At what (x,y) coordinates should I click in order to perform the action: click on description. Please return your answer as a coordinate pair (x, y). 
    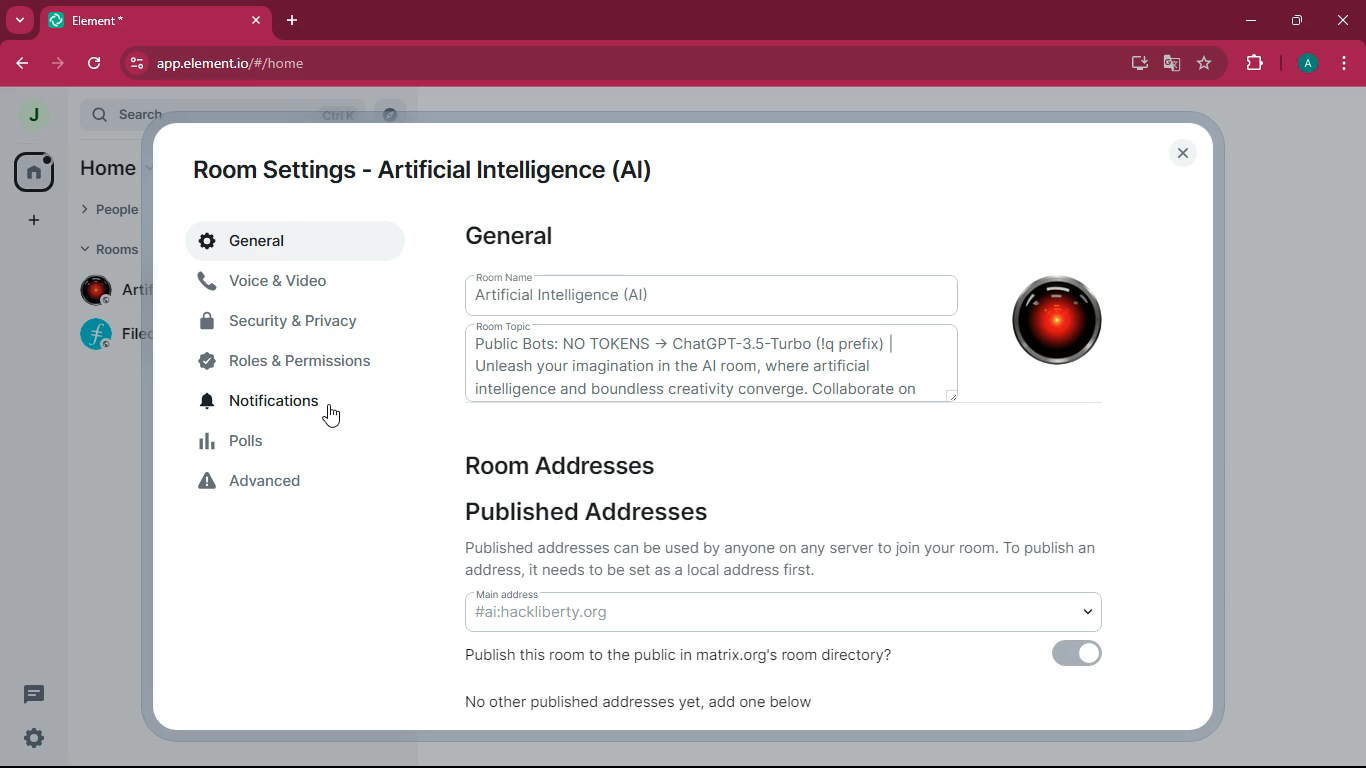
    Looking at the image, I should click on (794, 557).